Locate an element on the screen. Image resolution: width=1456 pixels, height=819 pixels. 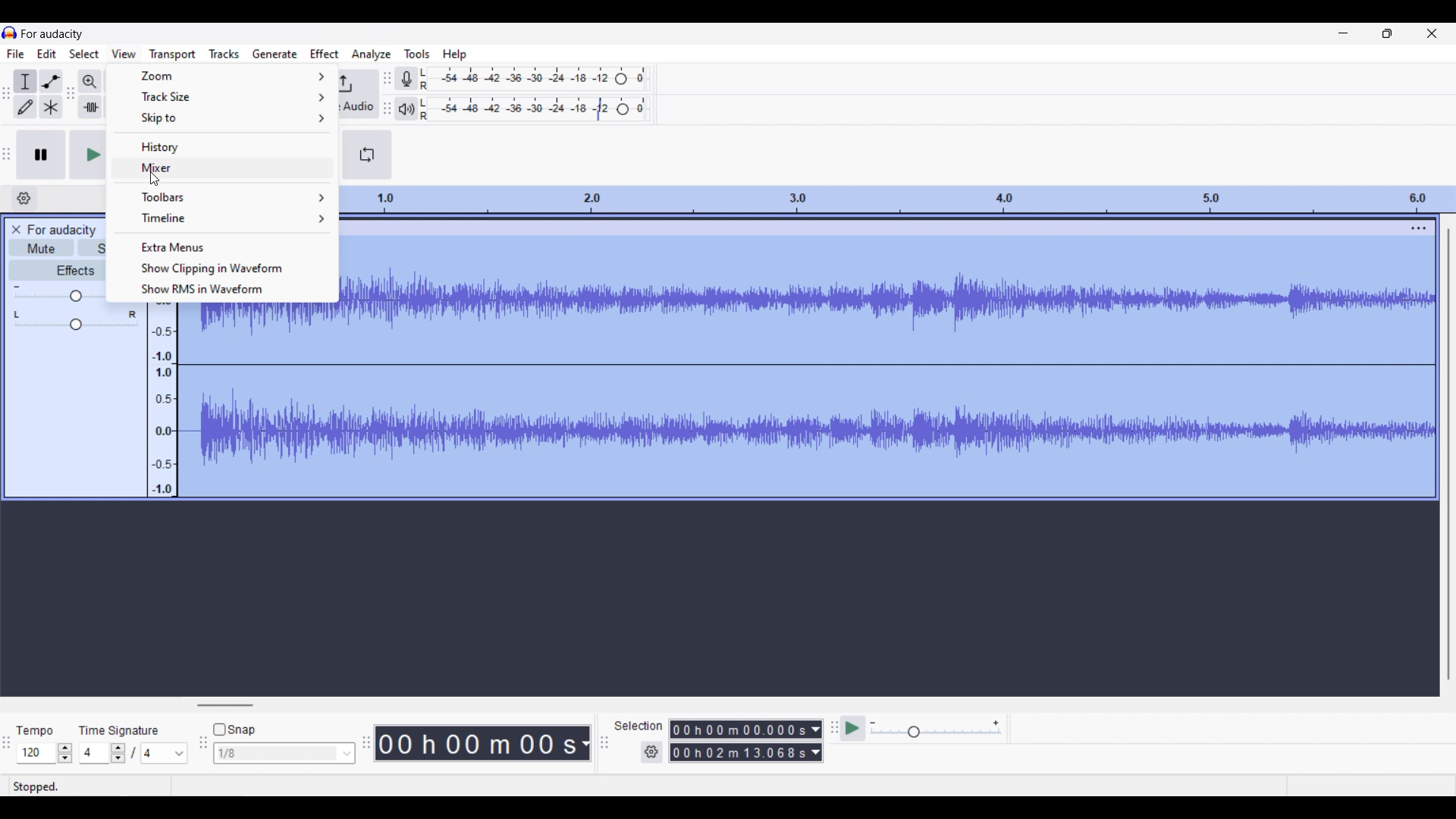
Indicates tempo settings is located at coordinates (34, 731).